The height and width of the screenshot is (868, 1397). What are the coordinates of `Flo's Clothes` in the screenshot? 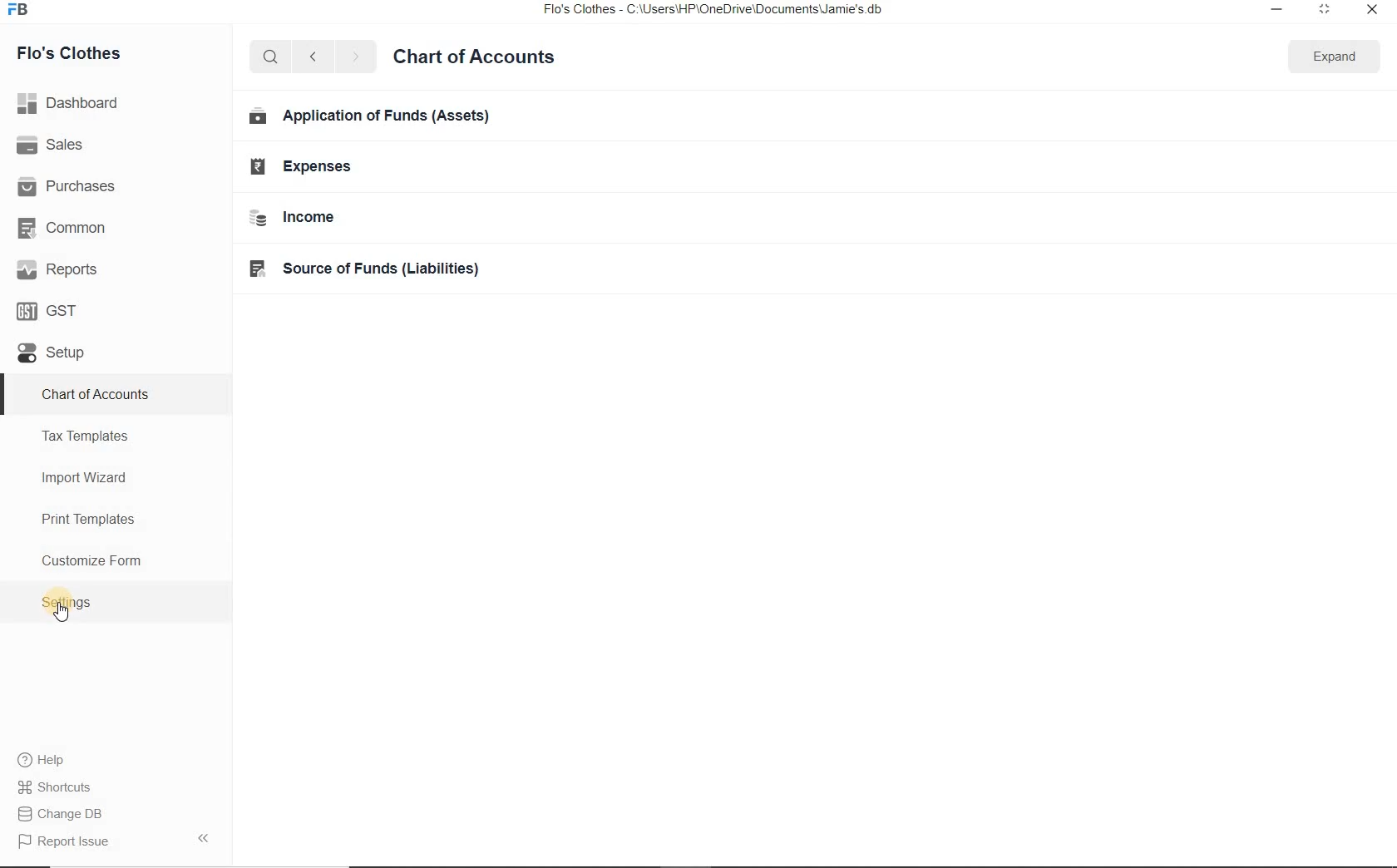 It's located at (72, 52).